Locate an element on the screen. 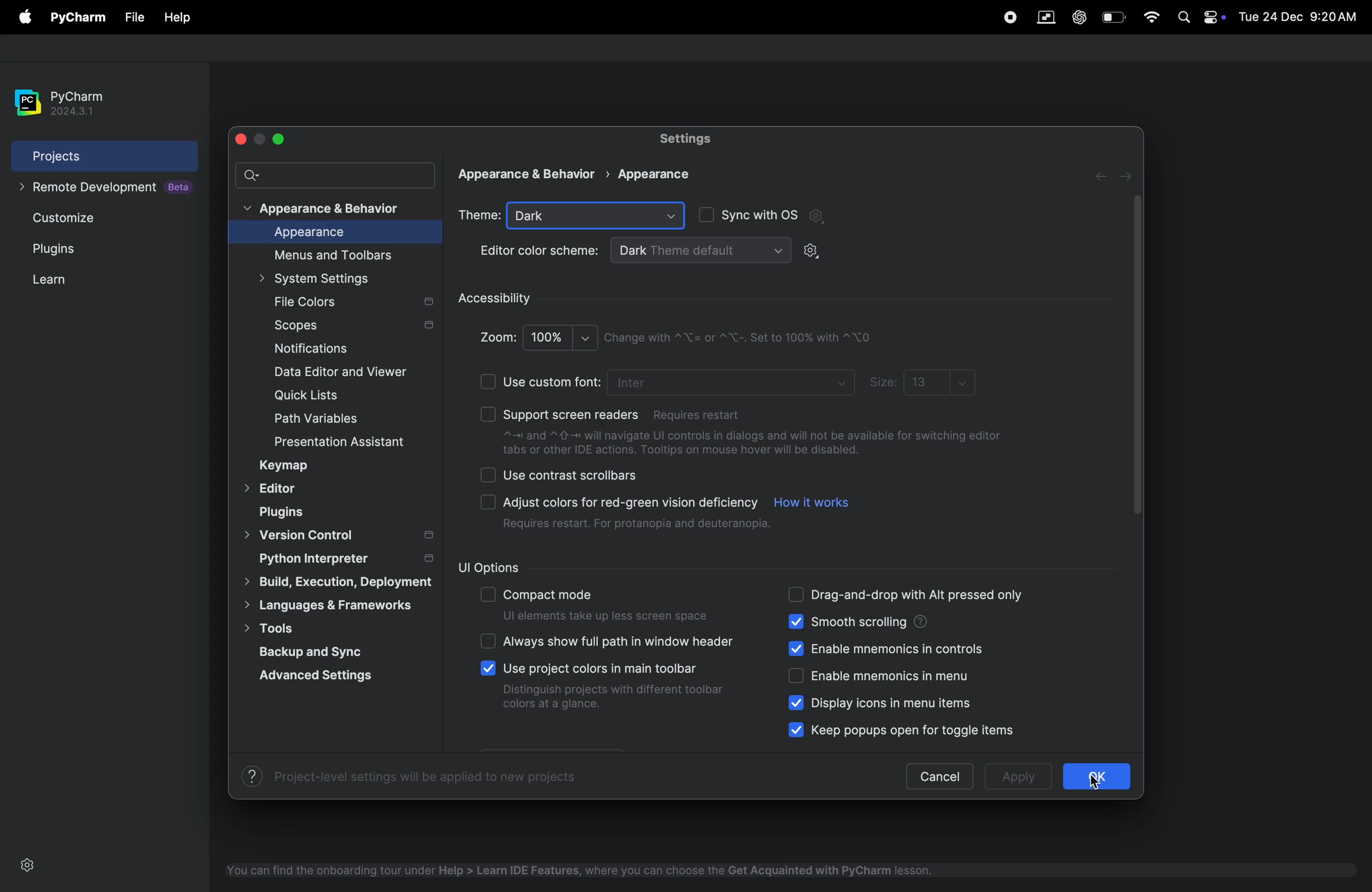 The height and width of the screenshot is (892, 1372). checkbox is located at coordinates (797, 729).